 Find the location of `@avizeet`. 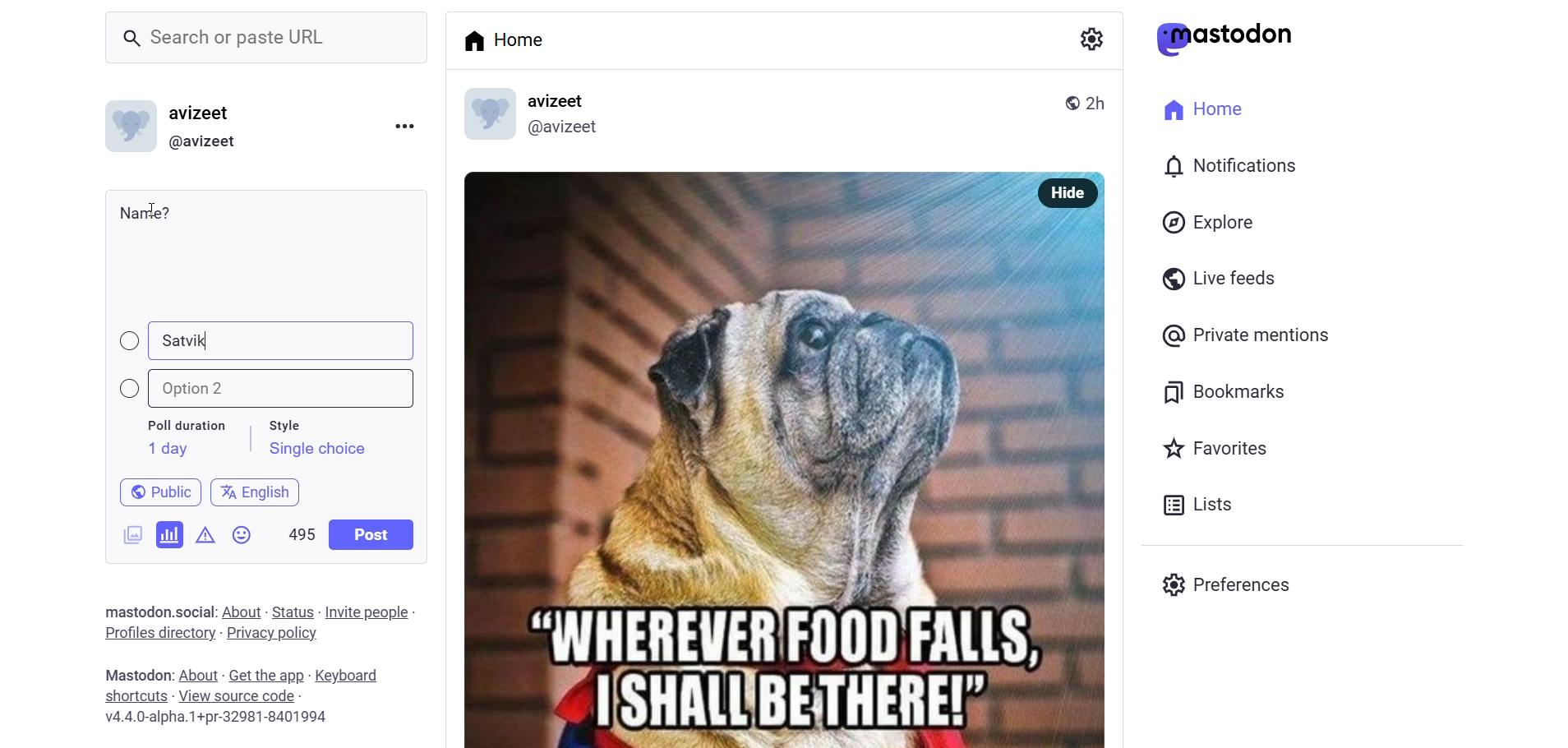

@avizeet is located at coordinates (202, 142).